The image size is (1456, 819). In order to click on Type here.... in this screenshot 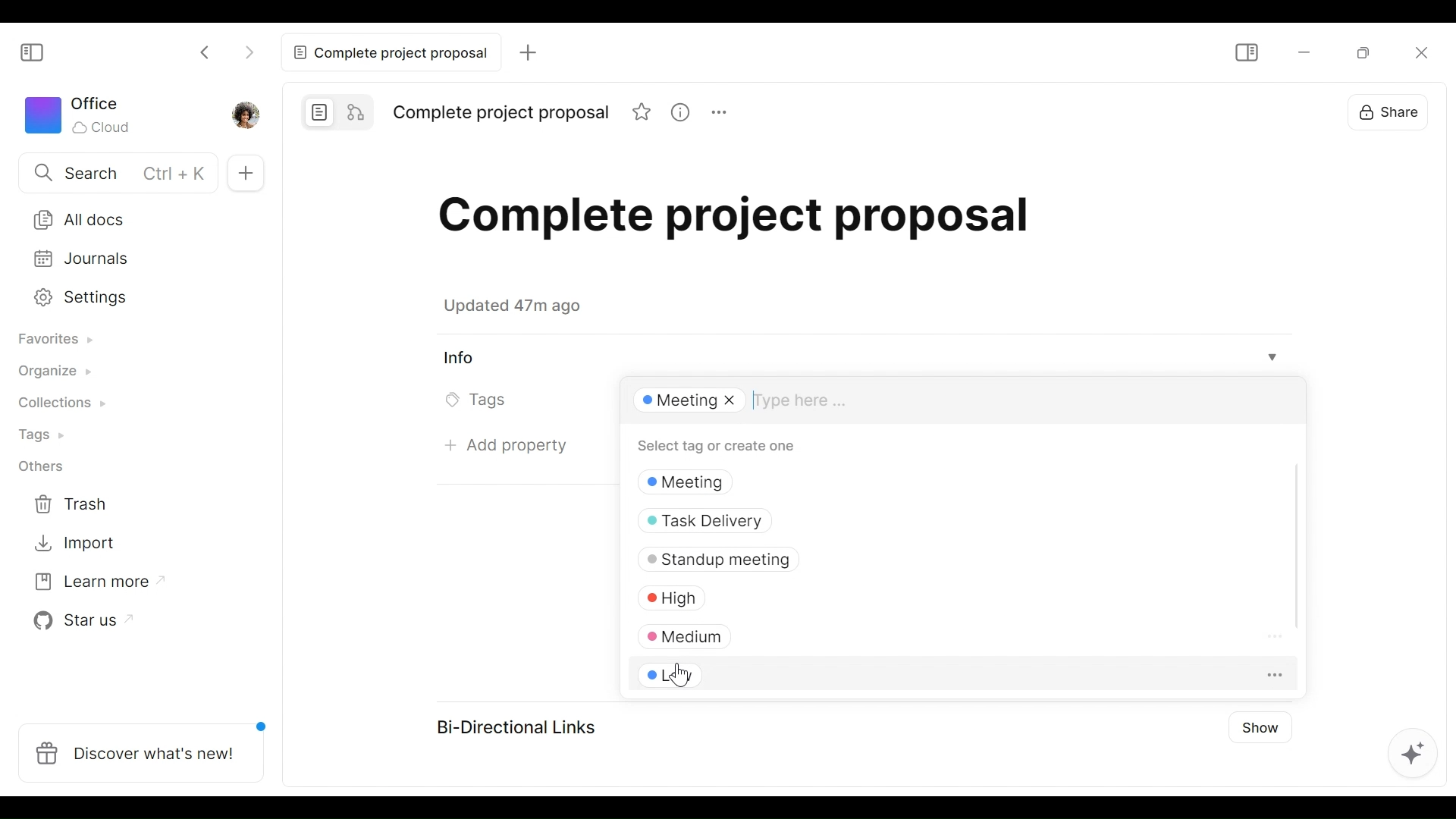, I will do `click(809, 403)`.